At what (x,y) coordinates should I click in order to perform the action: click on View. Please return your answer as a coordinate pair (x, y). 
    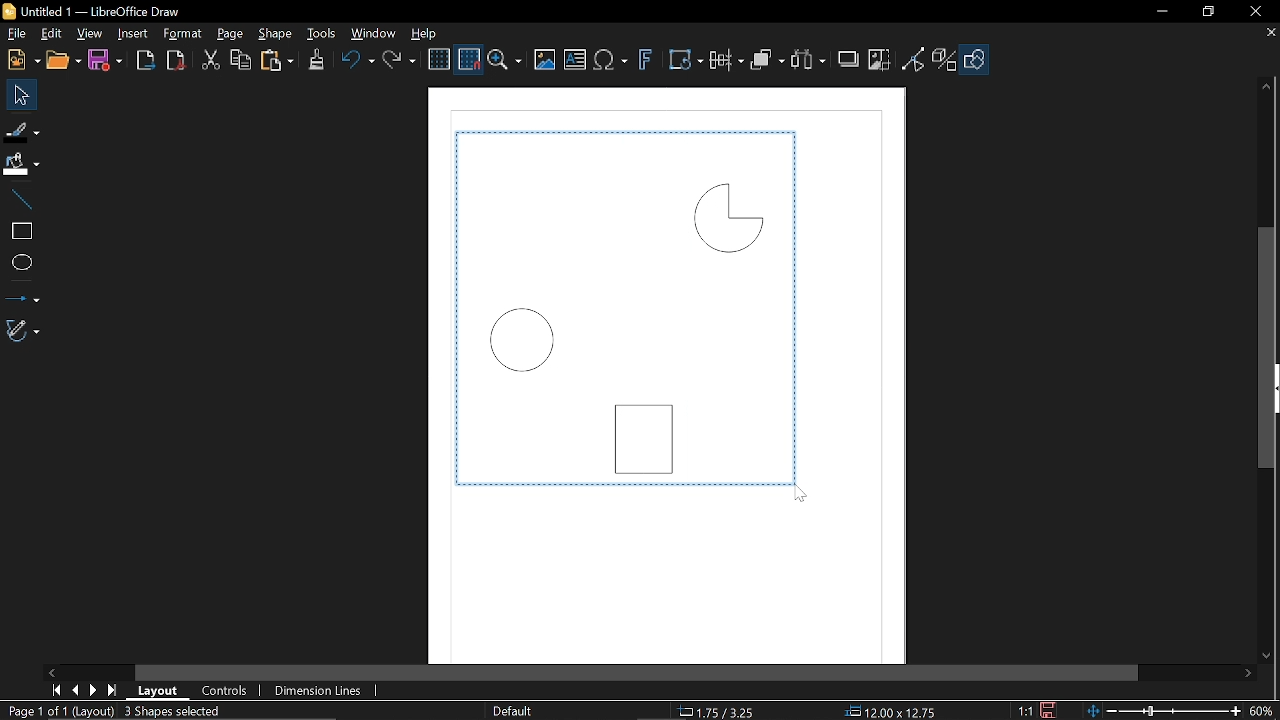
    Looking at the image, I should click on (90, 32).